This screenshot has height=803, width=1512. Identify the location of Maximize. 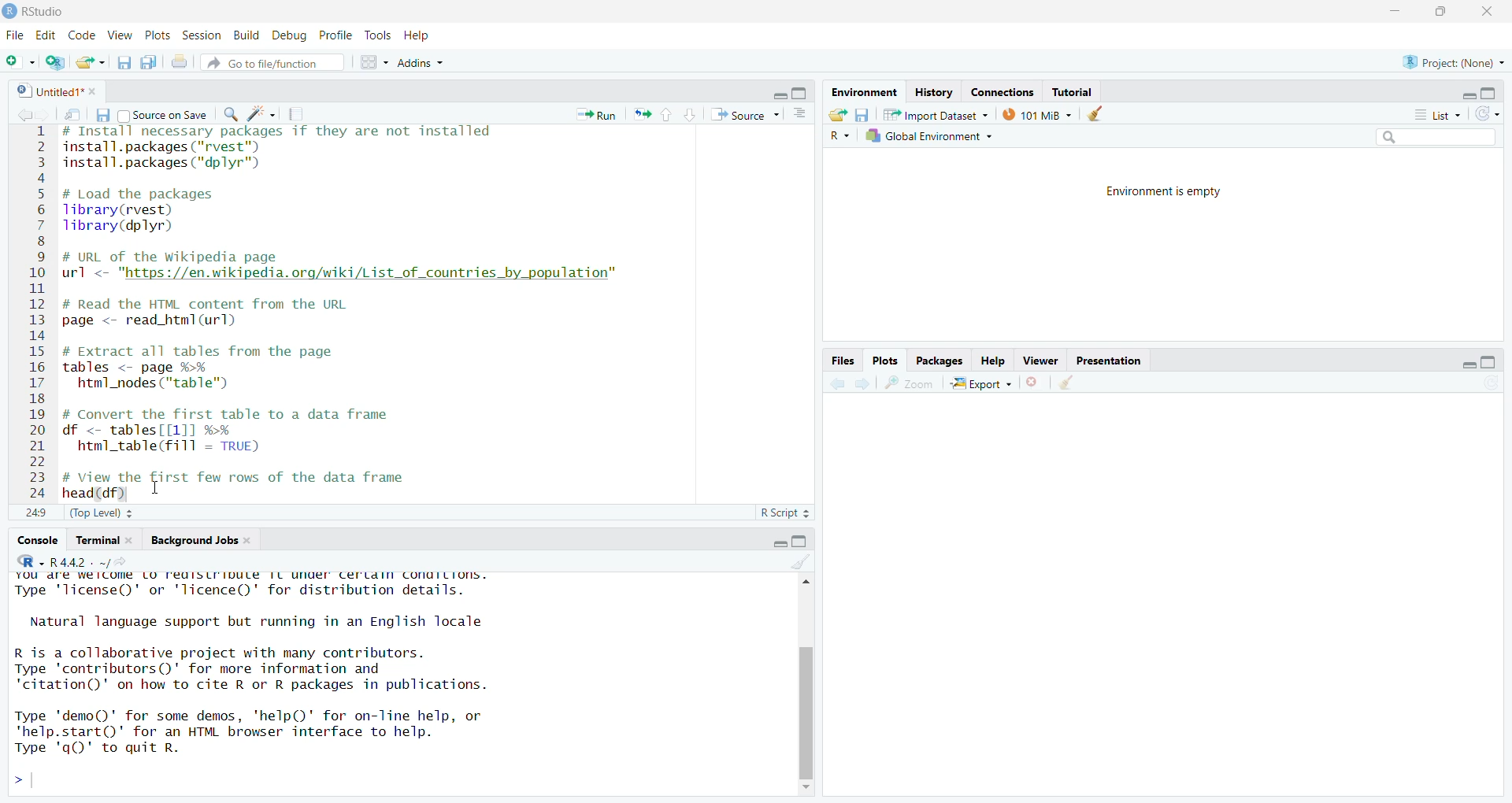
(799, 542).